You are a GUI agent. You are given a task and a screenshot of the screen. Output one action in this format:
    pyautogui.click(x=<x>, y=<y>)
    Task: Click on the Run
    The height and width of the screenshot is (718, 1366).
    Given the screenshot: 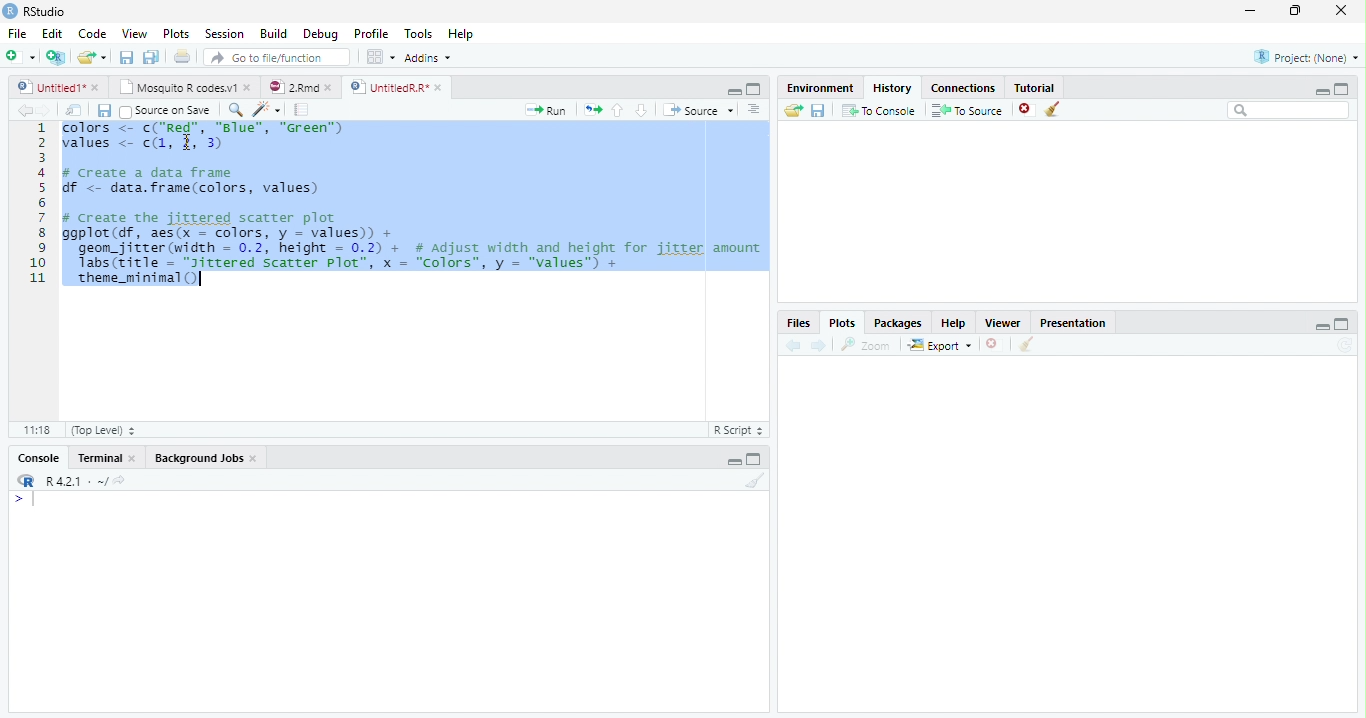 What is the action you would take?
    pyautogui.click(x=546, y=111)
    